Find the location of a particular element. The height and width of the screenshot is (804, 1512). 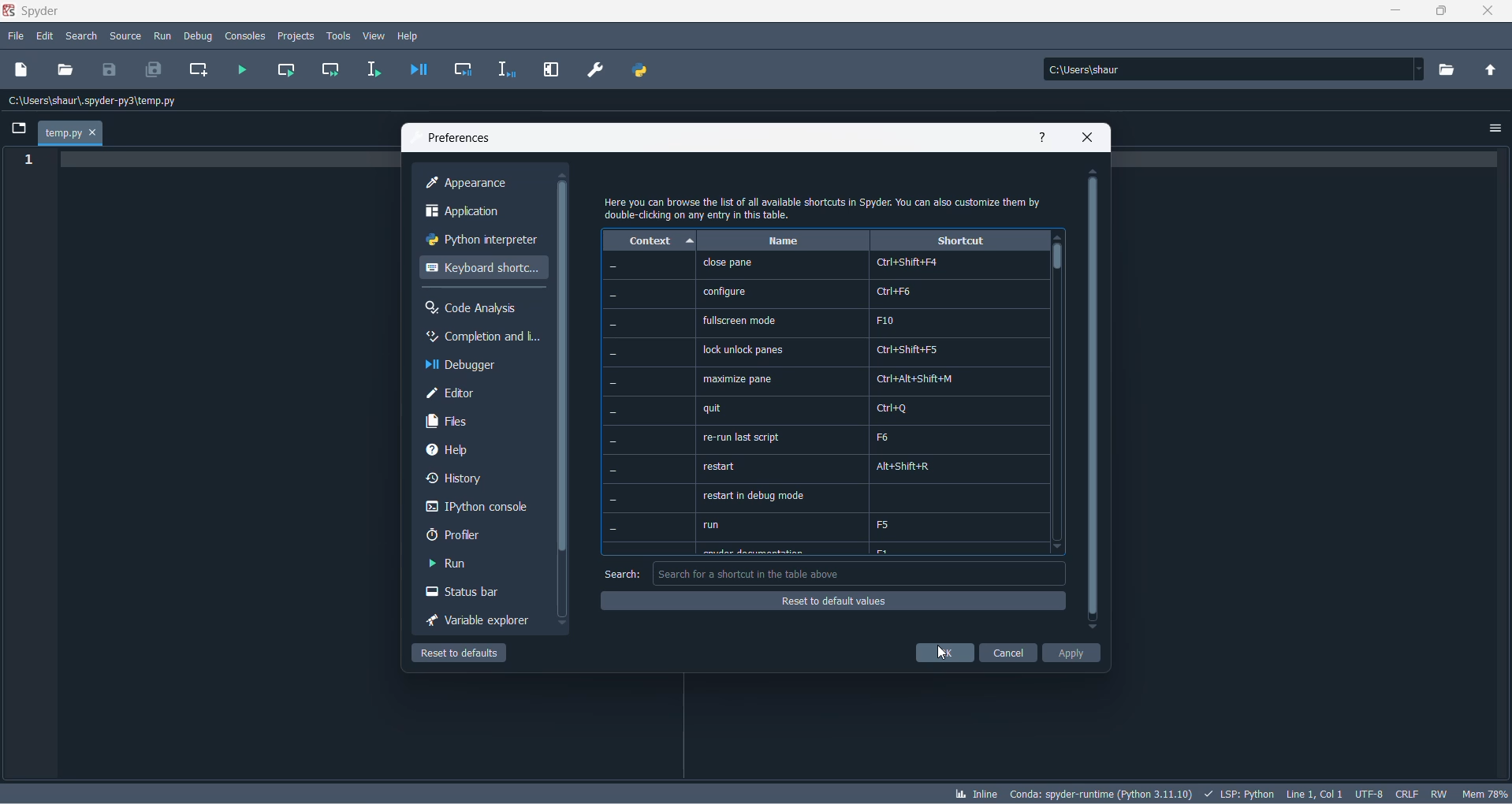

files is located at coordinates (484, 422).